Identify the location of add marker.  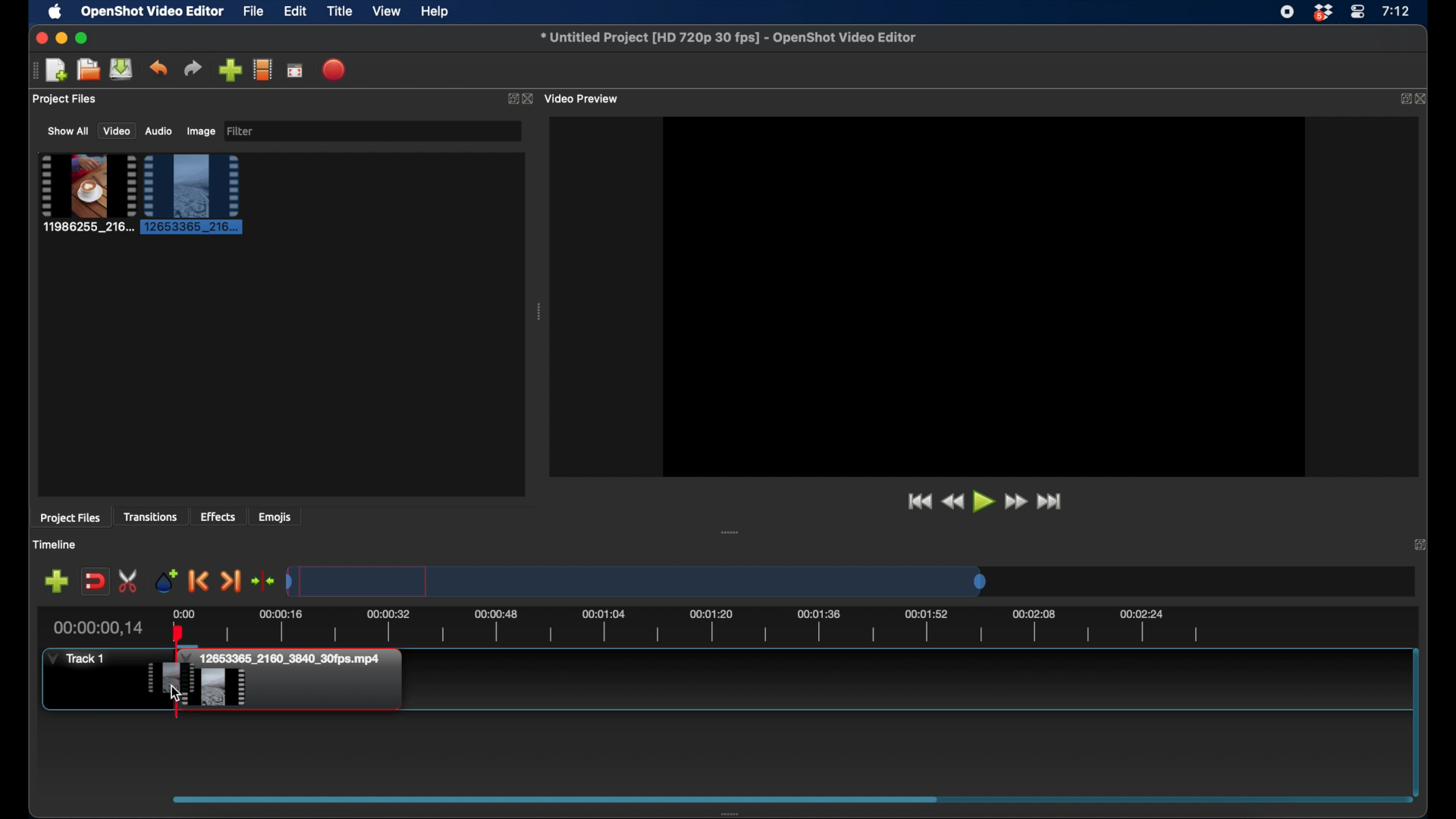
(165, 580).